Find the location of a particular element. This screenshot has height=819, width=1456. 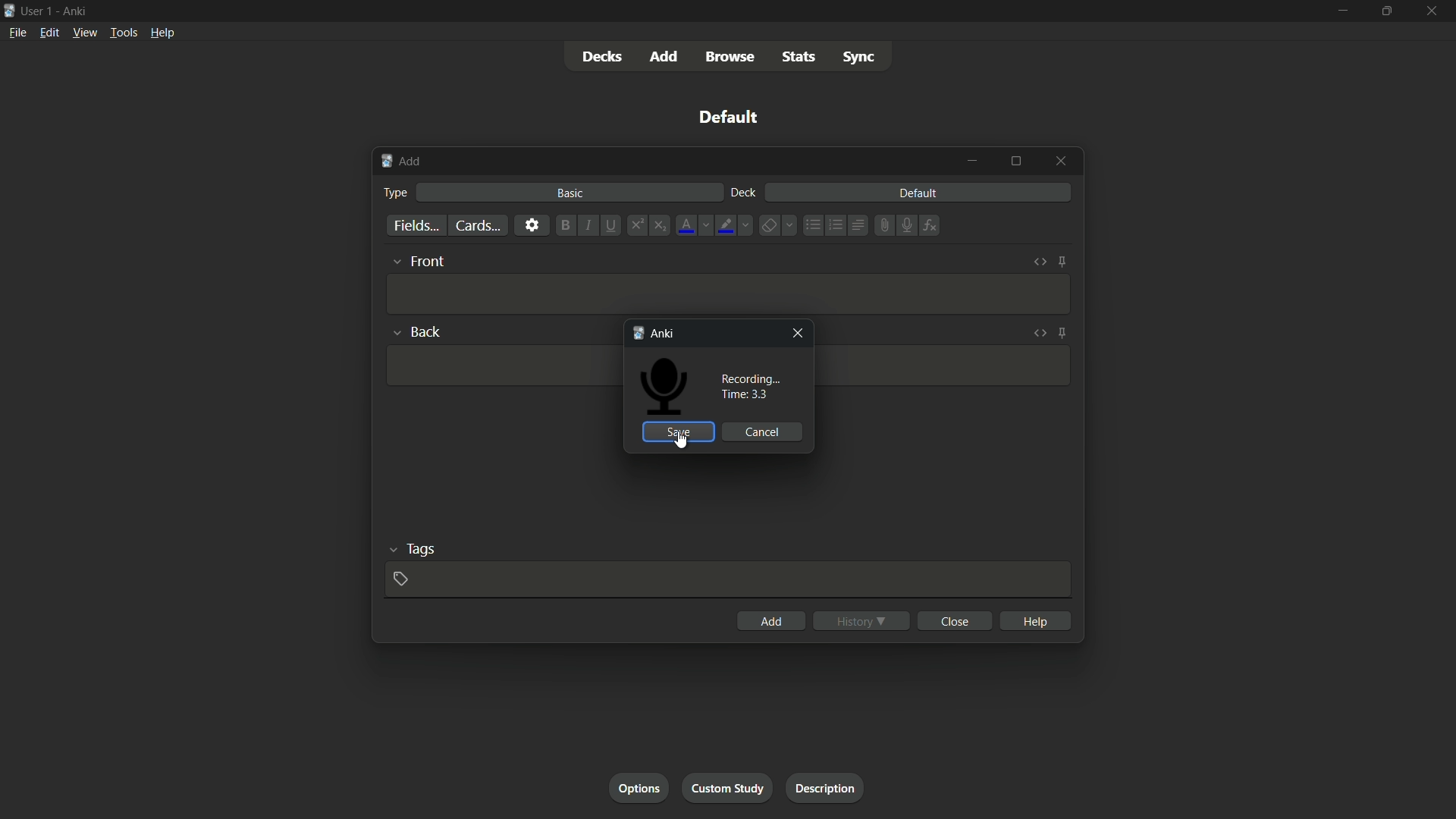

default is located at coordinates (918, 193).